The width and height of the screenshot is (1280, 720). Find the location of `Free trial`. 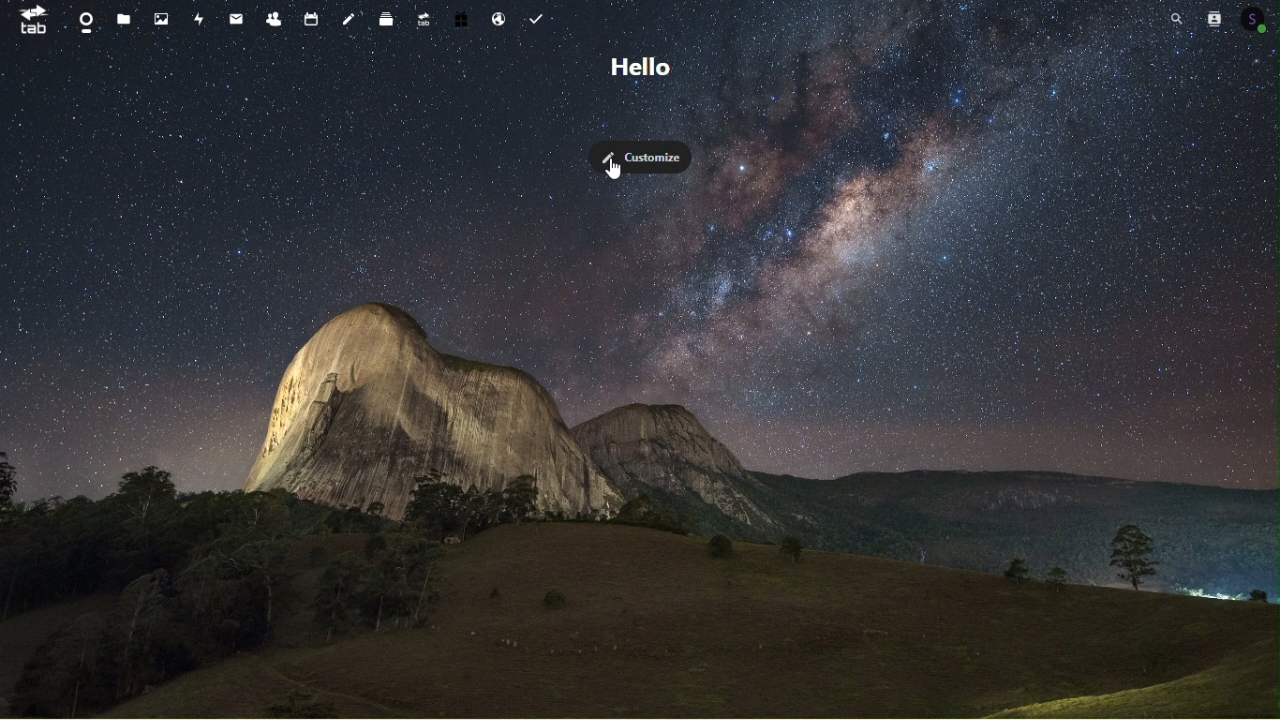

Free trial is located at coordinates (462, 16).